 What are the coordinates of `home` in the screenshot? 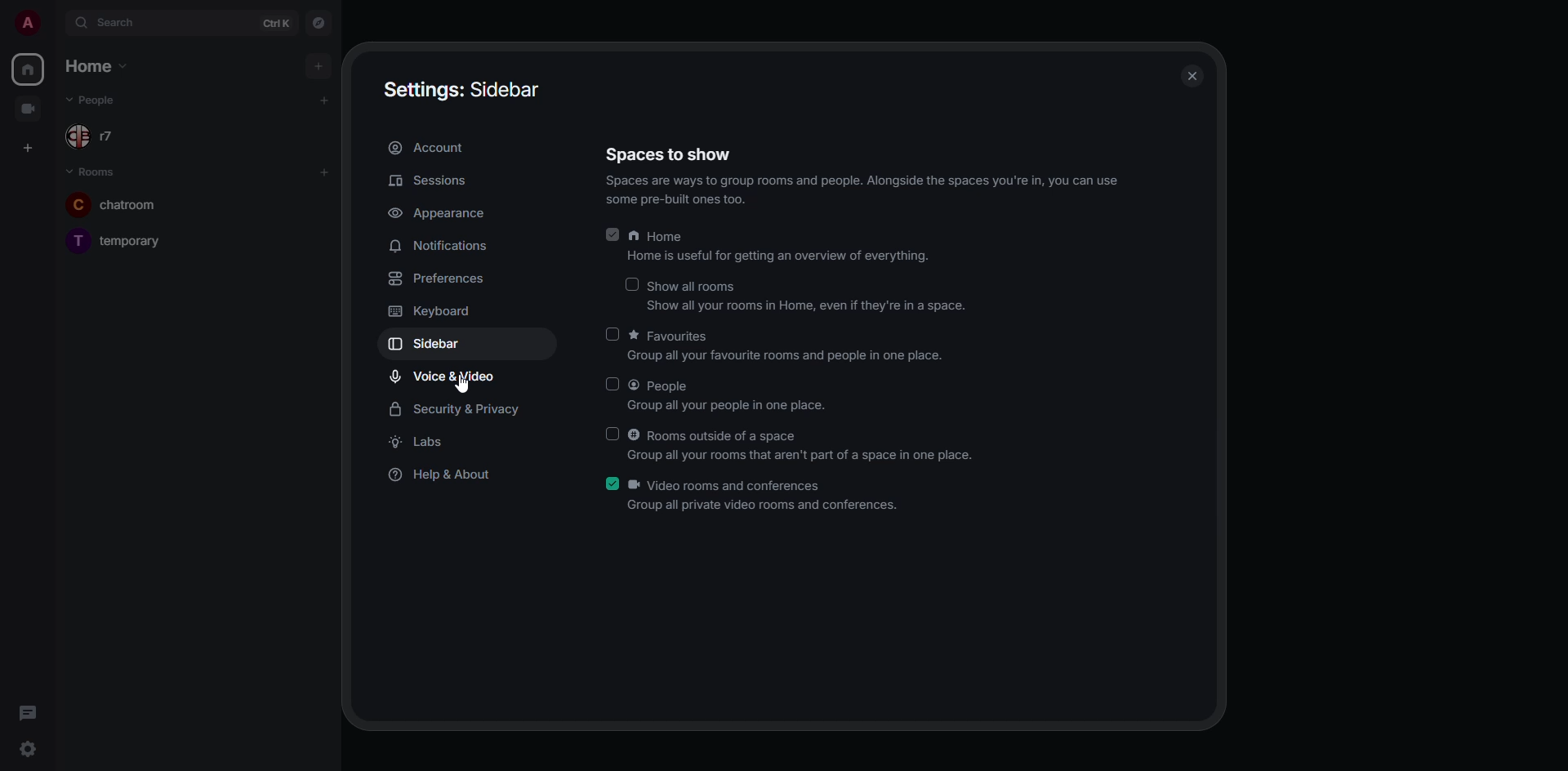 It's located at (787, 247).